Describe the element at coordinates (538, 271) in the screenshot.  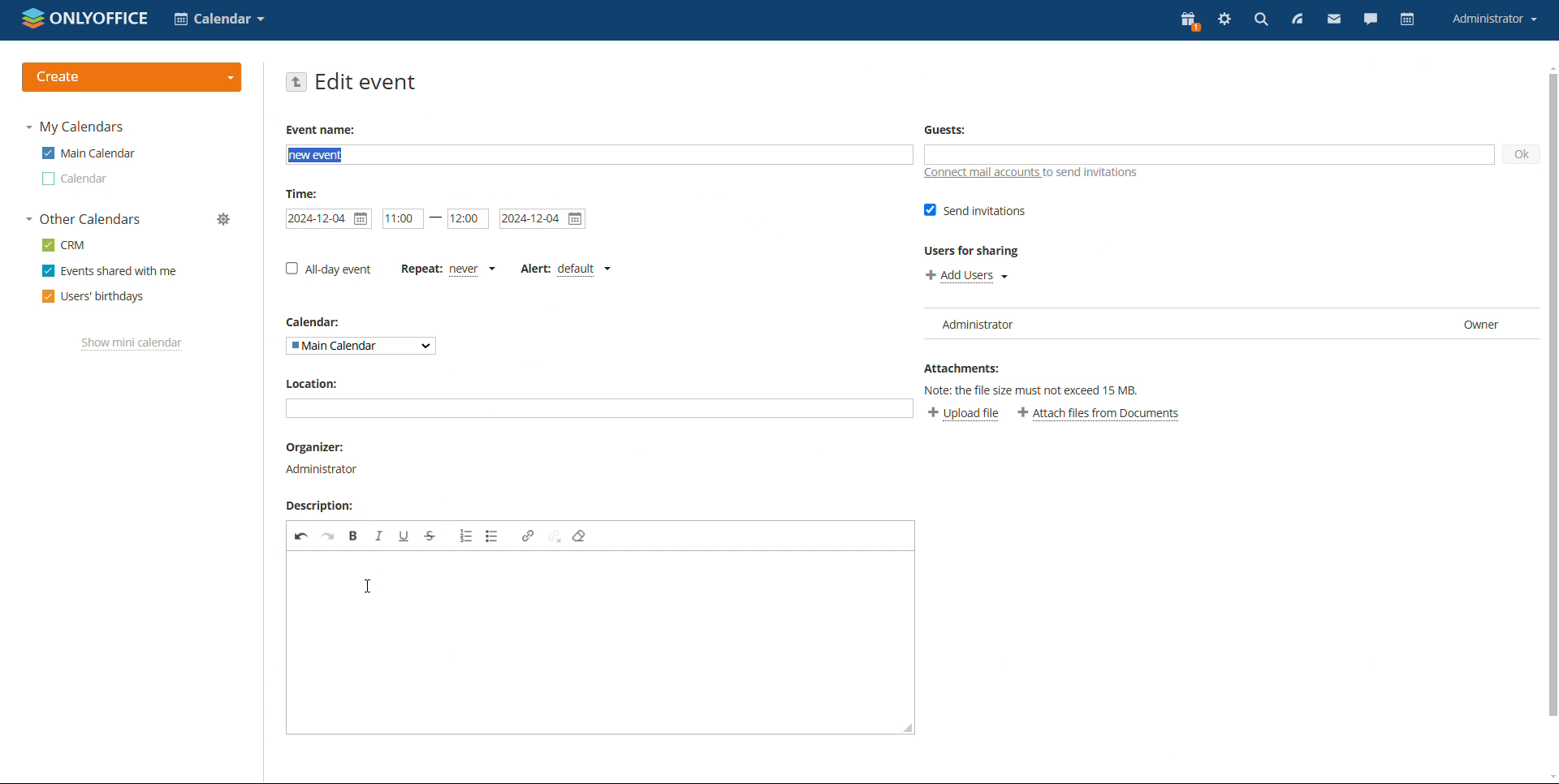
I see `set alert` at that location.